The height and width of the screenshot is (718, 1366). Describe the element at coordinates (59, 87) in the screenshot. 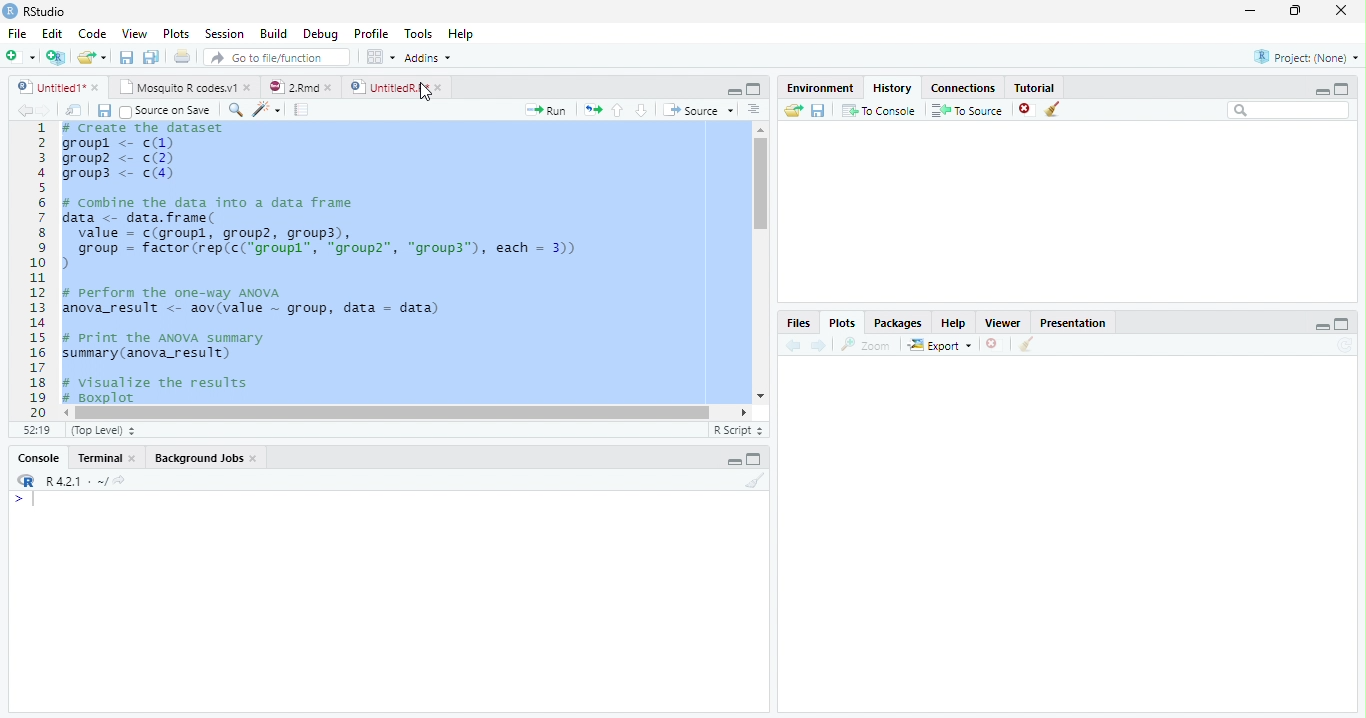

I see `Untitled` at that location.